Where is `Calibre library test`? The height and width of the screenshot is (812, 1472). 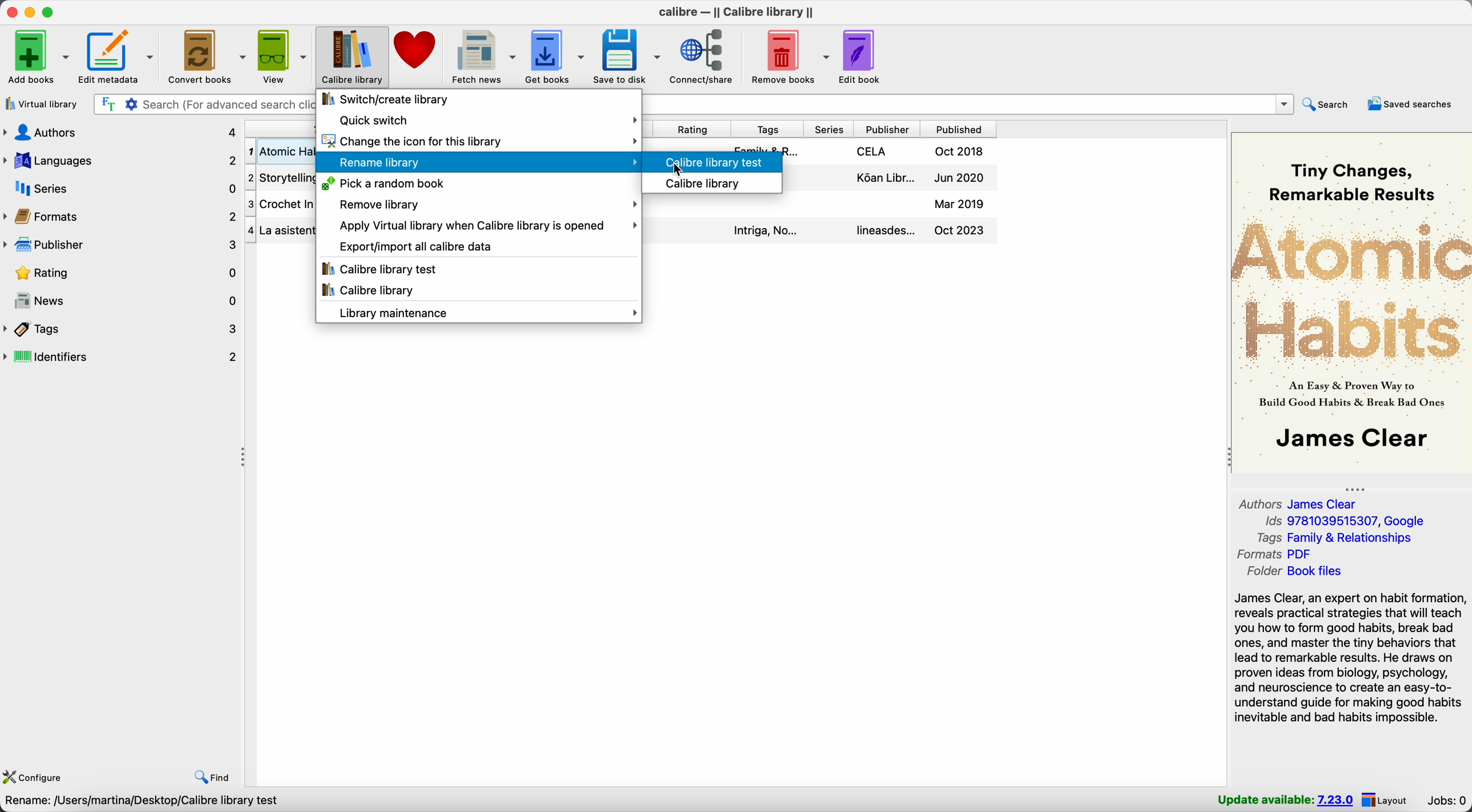 Calibre library test is located at coordinates (383, 269).